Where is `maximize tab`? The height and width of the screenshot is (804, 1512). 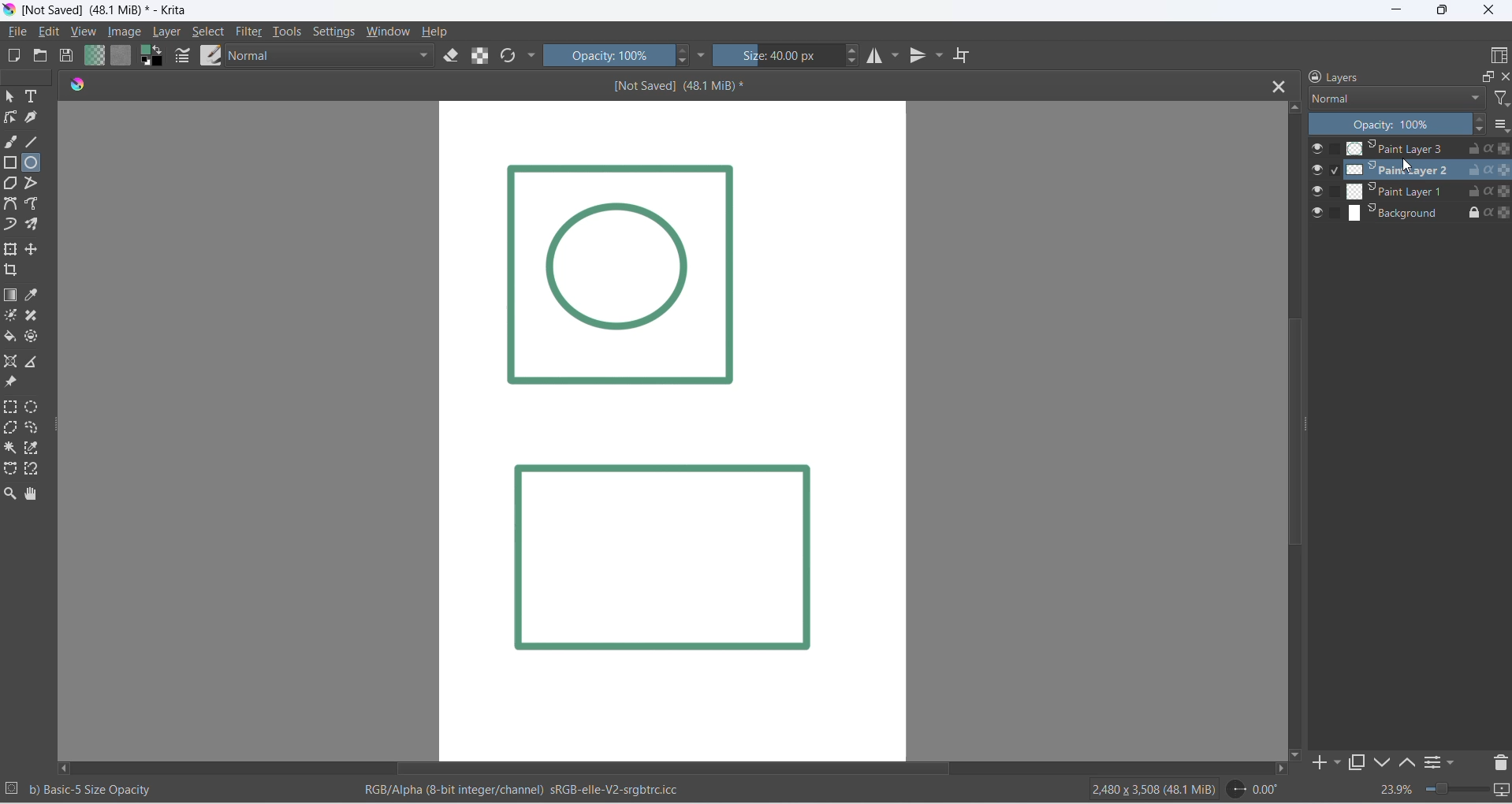
maximize tab is located at coordinates (1357, 764).